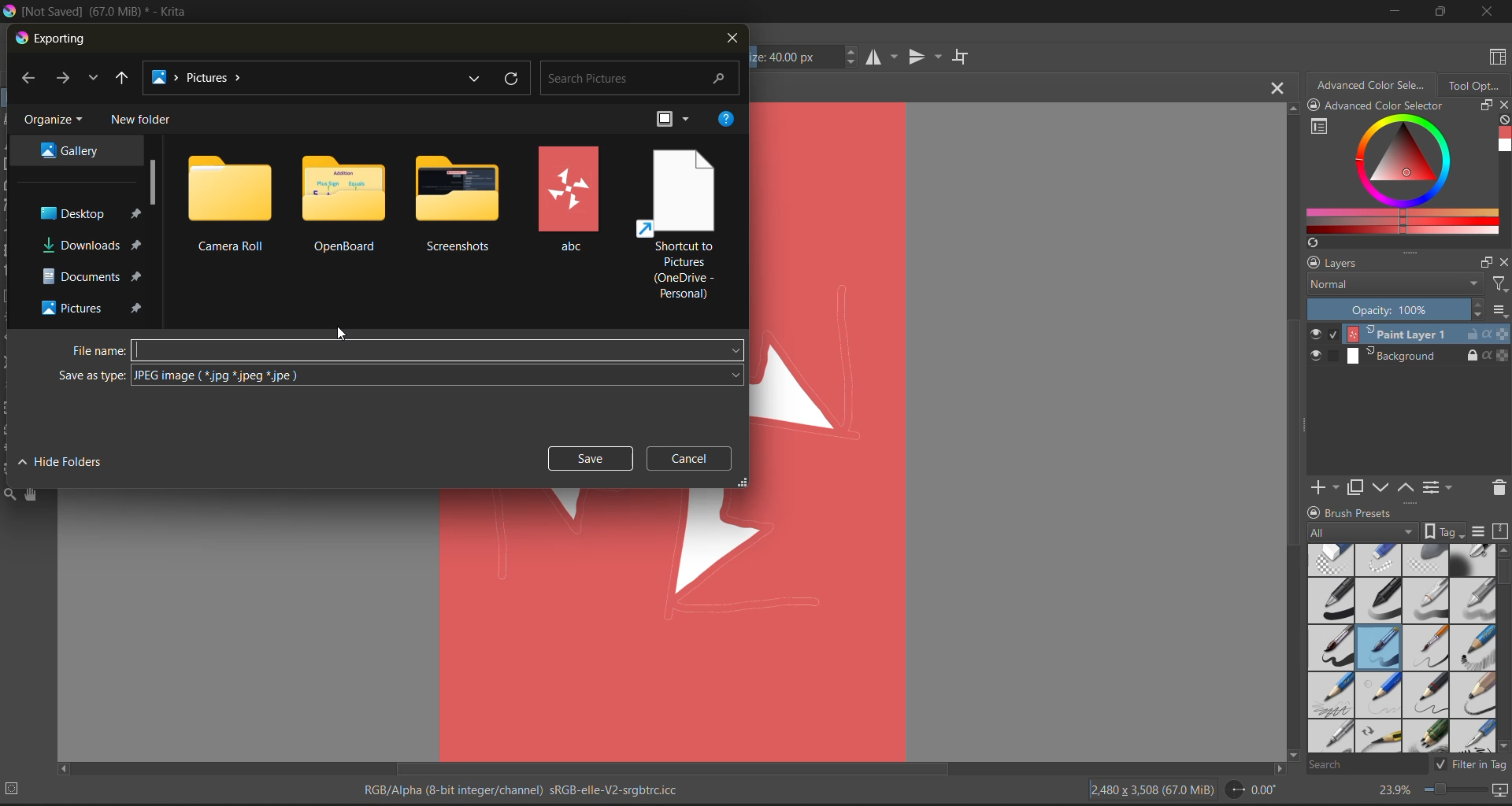  What do you see at coordinates (641, 79) in the screenshot?
I see `search` at bounding box center [641, 79].